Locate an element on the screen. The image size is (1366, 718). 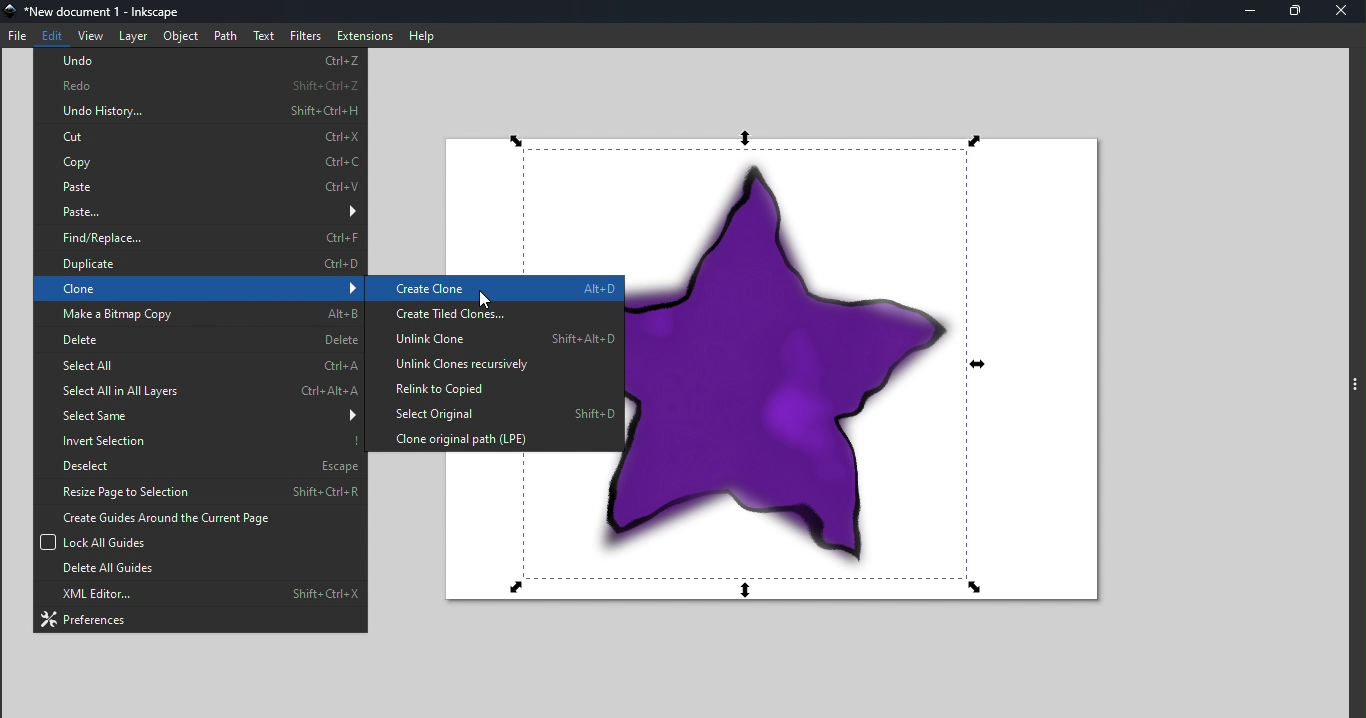
undo is located at coordinates (202, 60).